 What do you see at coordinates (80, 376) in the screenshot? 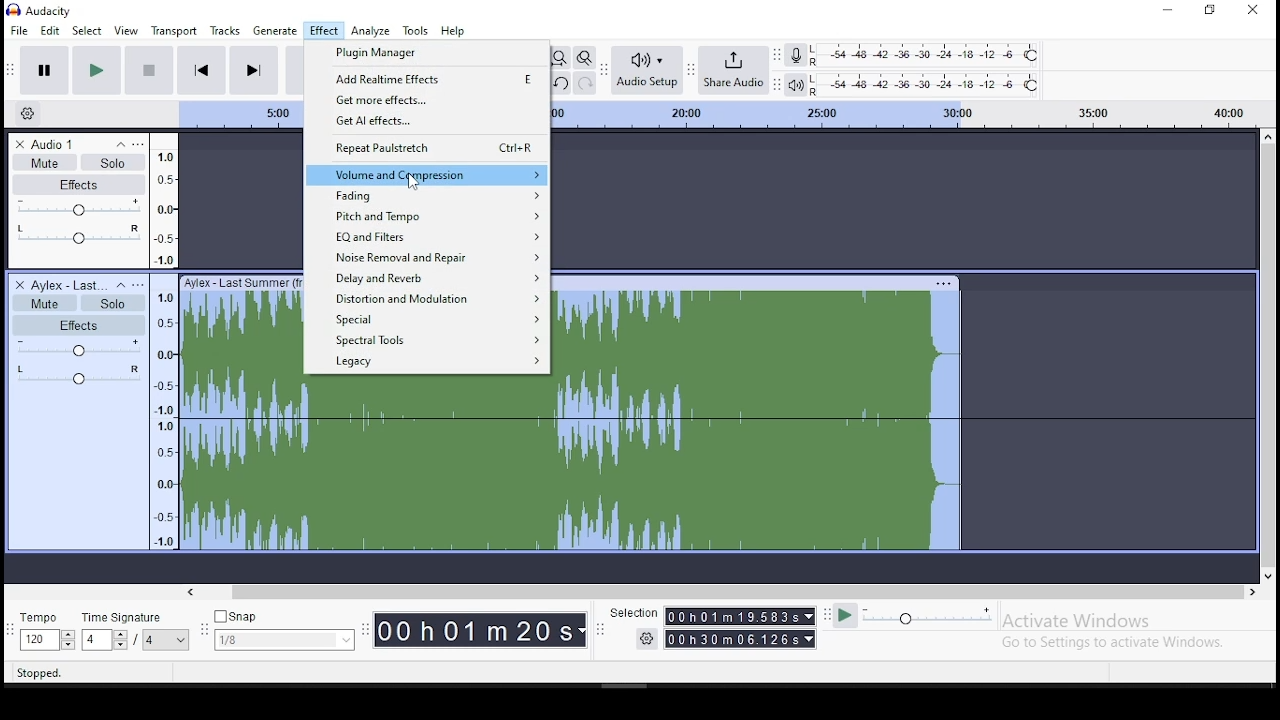
I see `pan` at bounding box center [80, 376].